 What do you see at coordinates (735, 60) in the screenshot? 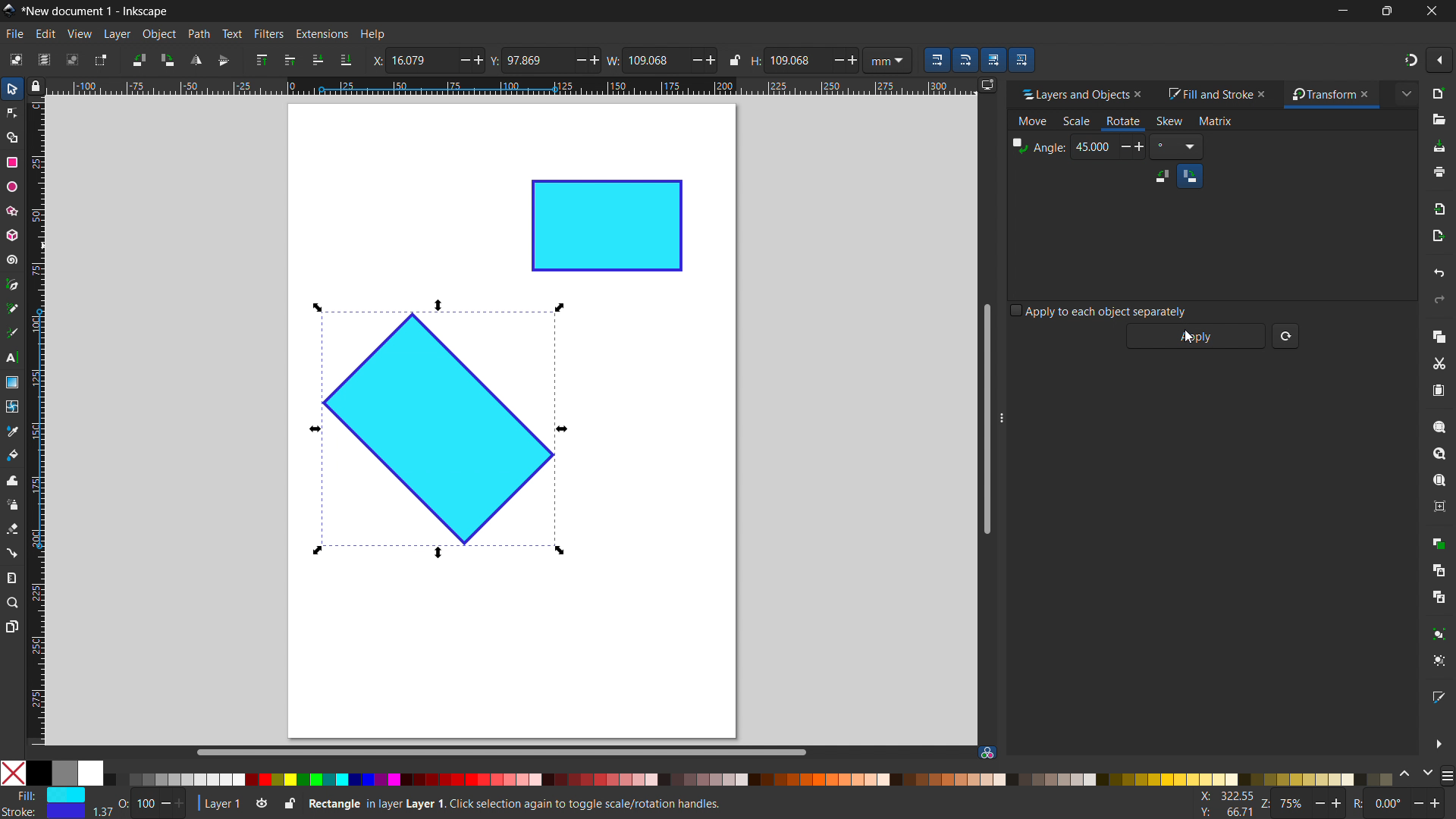
I see `when  locked change height and width proportionally ` at bounding box center [735, 60].